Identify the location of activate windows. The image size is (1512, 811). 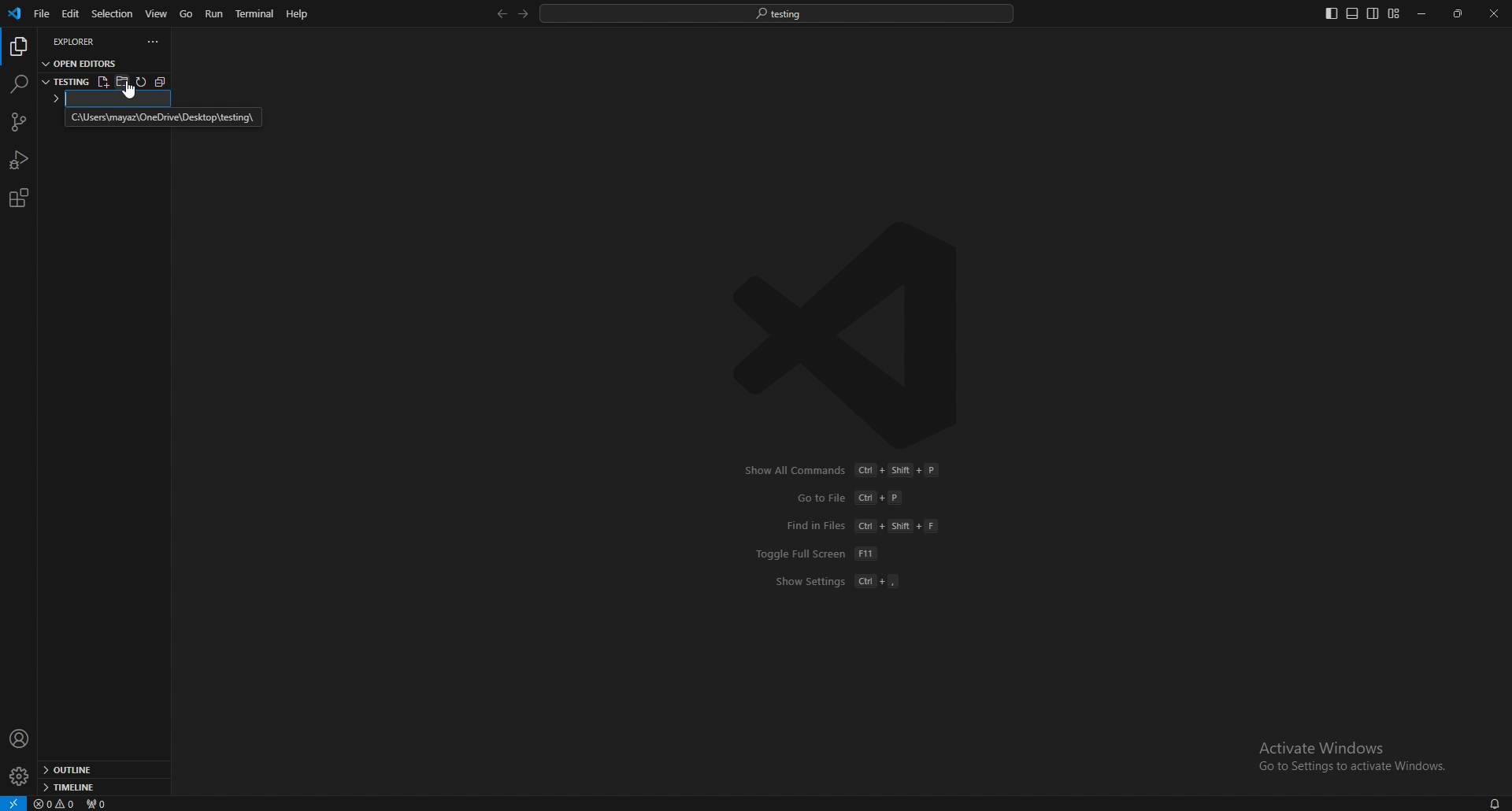
(1347, 749).